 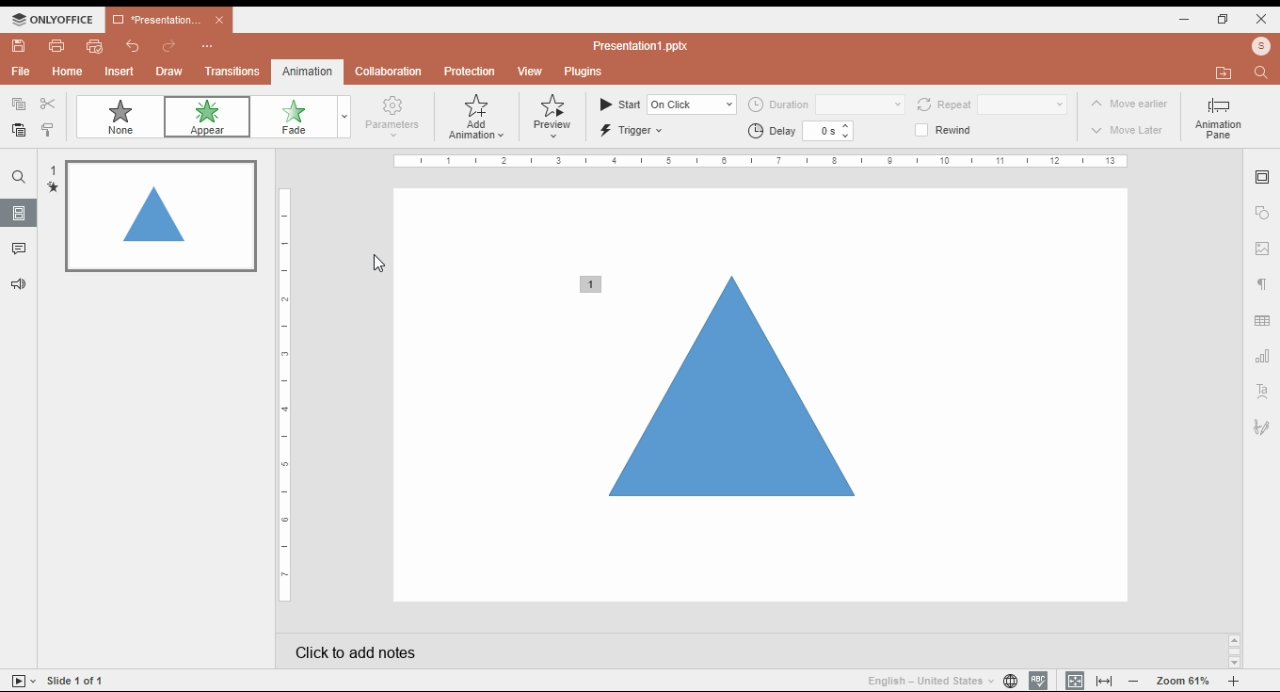 I want to click on , so click(x=1262, y=428).